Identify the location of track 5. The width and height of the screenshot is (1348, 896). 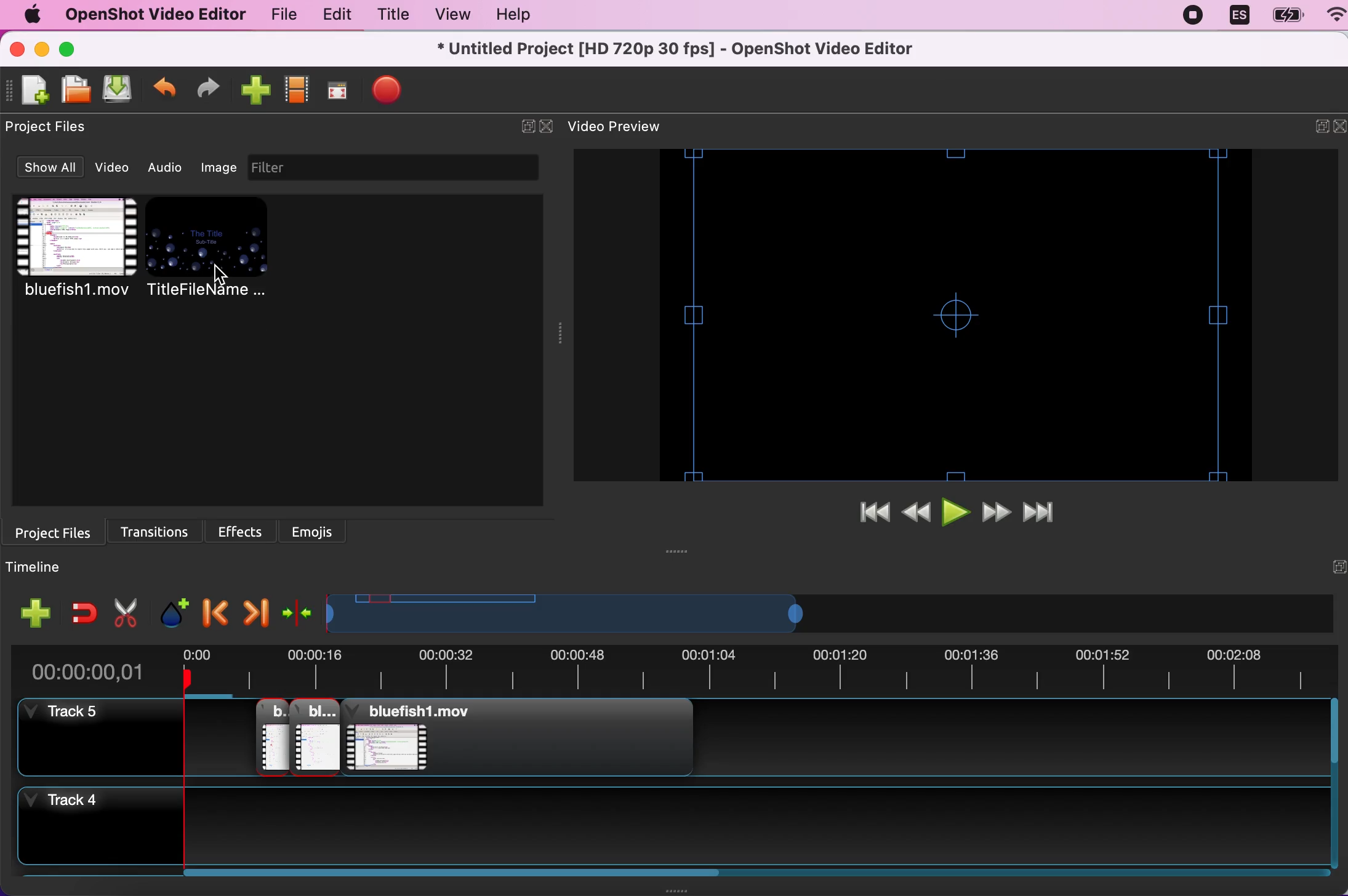
(762, 742).